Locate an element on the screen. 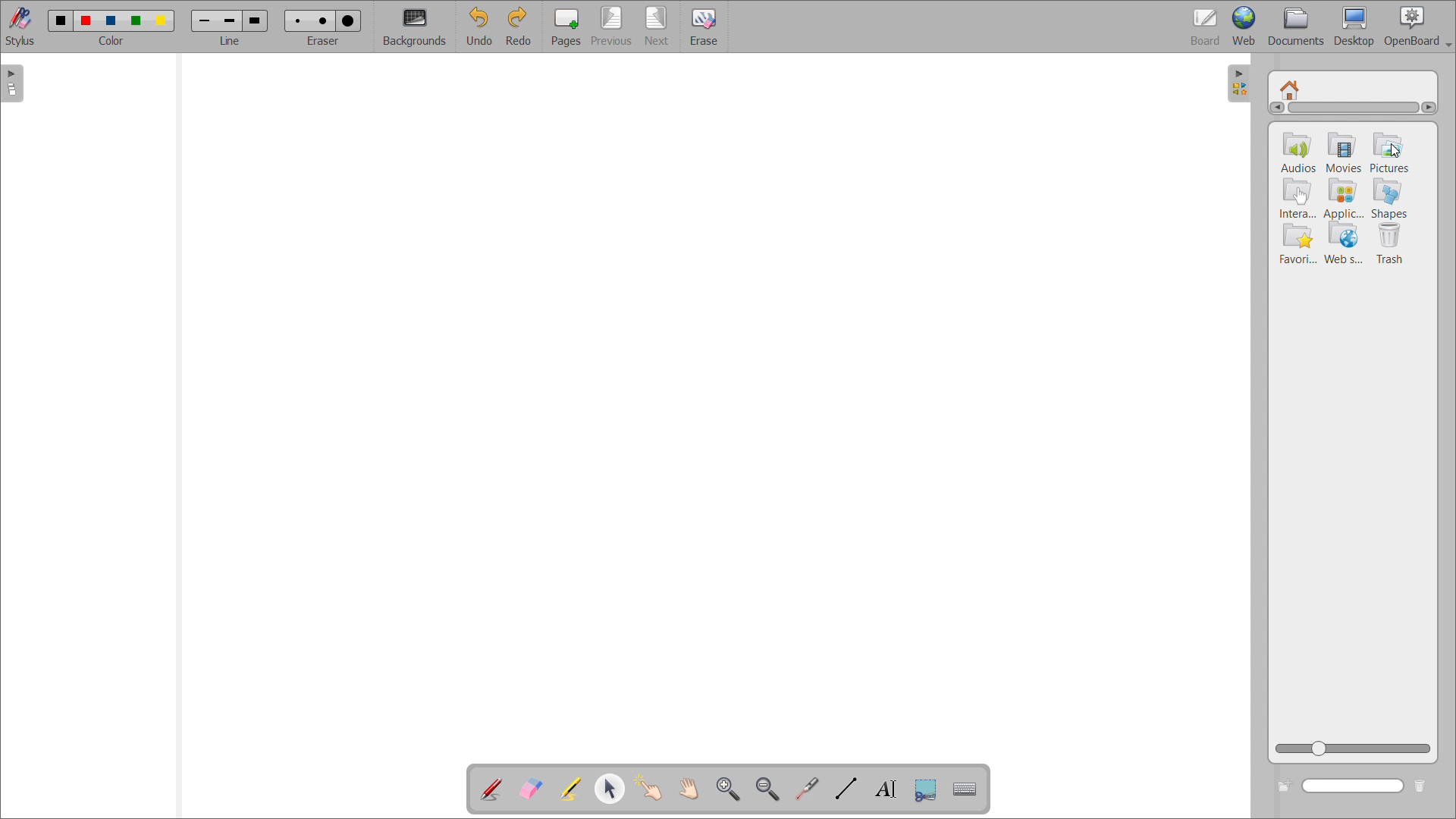 The image size is (1456, 819). zoom in is located at coordinates (730, 789).